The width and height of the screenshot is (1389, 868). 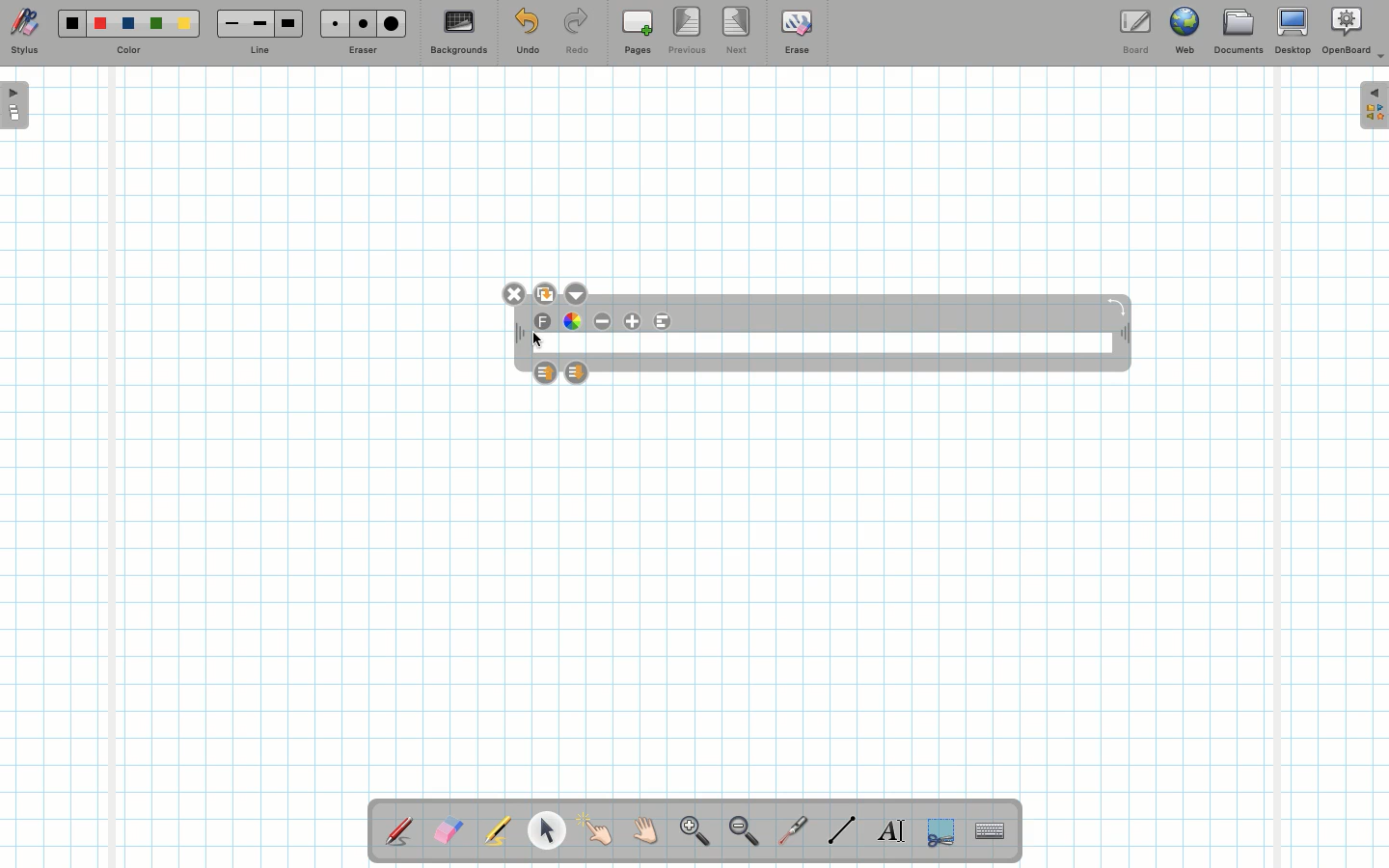 I want to click on Layer up, so click(x=546, y=371).